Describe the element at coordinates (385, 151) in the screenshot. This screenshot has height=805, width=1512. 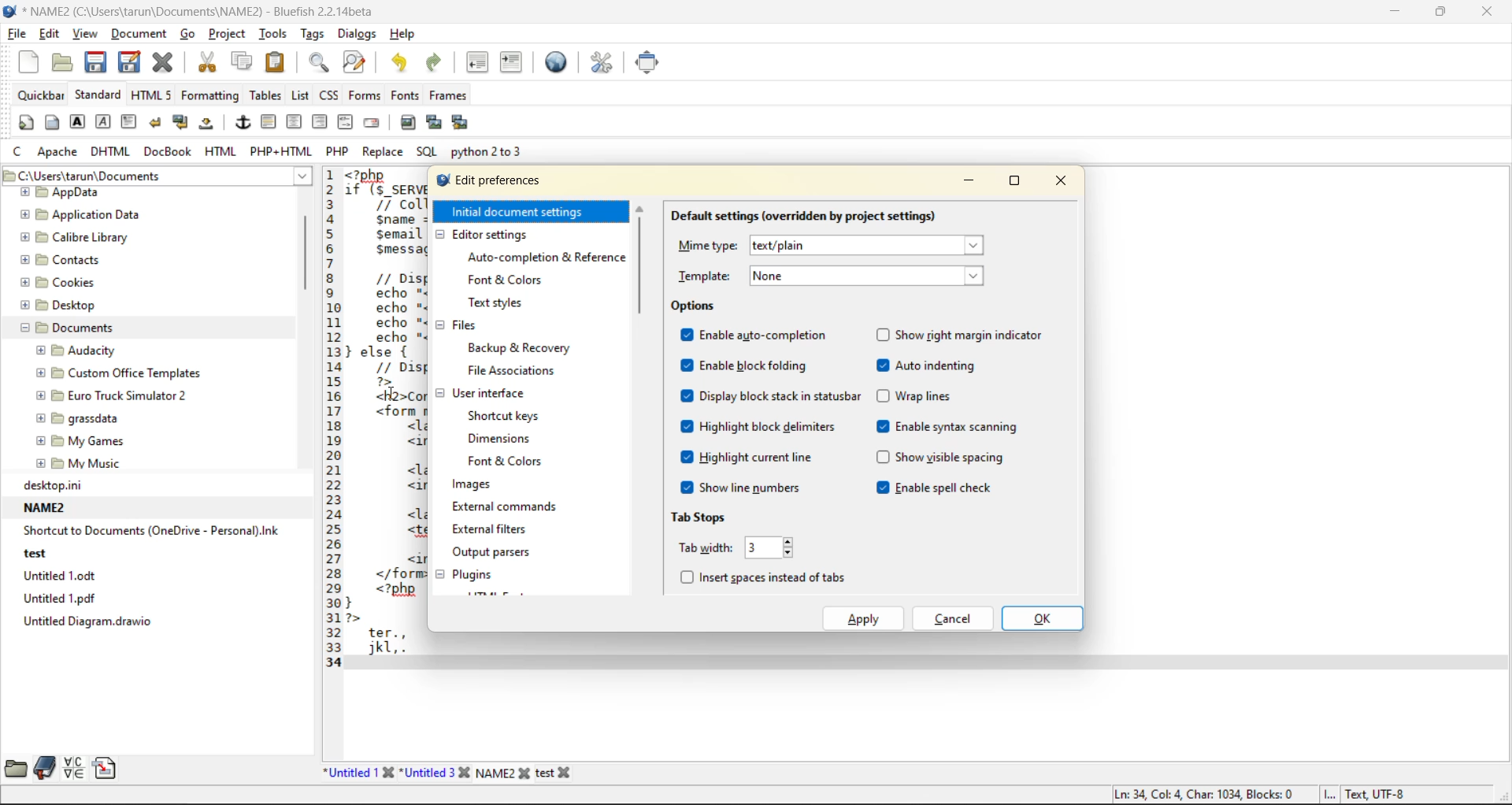
I see `replace` at that location.